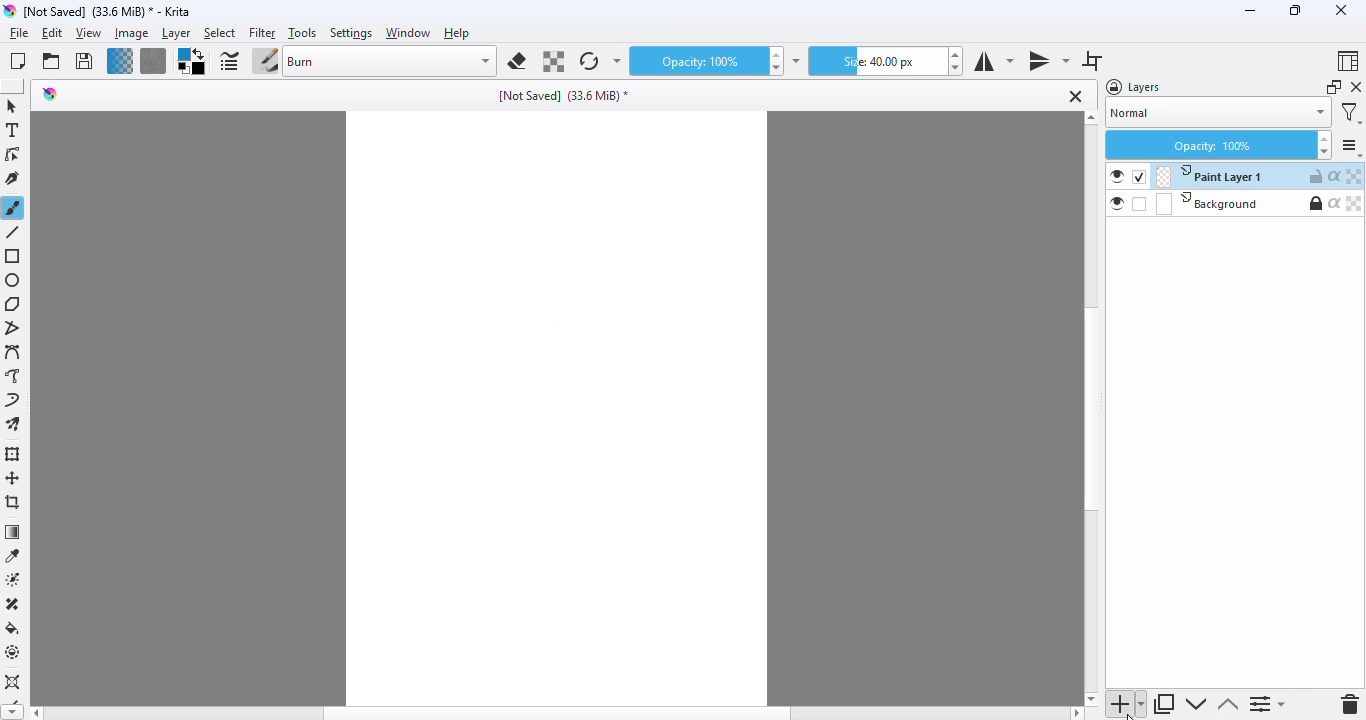 The width and height of the screenshot is (1366, 720). Describe the element at coordinates (12, 130) in the screenshot. I see `text tool` at that location.